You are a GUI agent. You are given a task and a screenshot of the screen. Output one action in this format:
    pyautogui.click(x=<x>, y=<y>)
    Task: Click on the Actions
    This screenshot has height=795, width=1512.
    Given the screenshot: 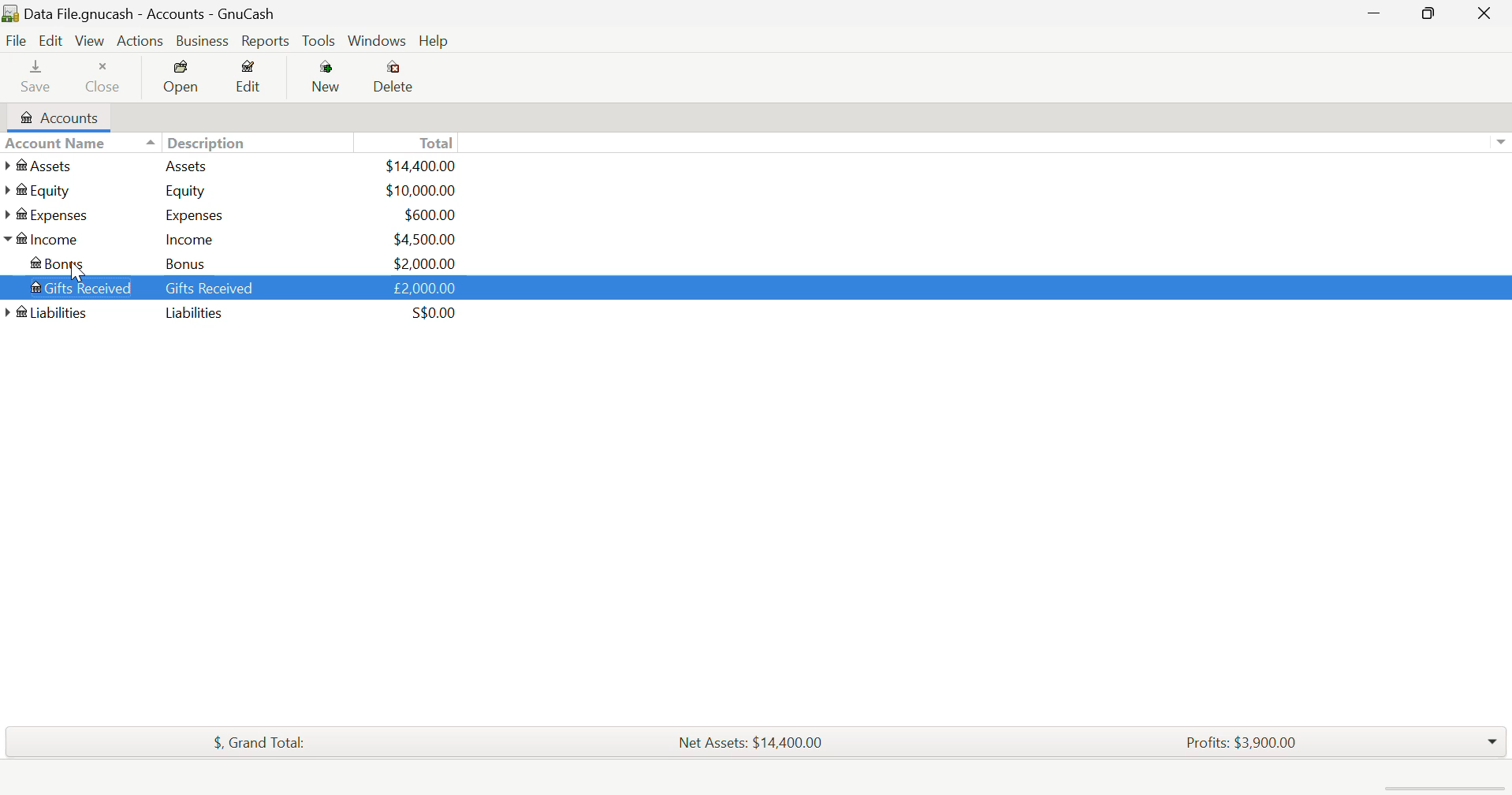 What is the action you would take?
    pyautogui.click(x=141, y=39)
    